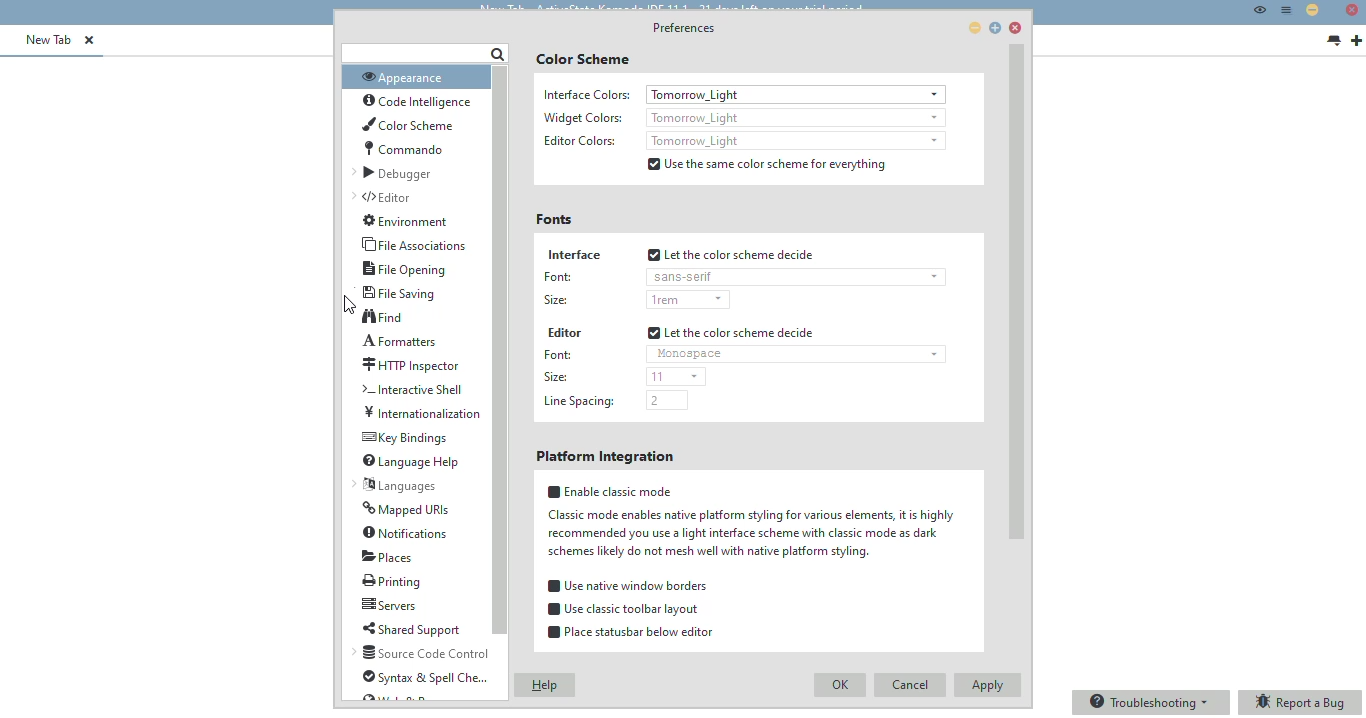 This screenshot has height=718, width=1366. I want to click on use the same color scheme for everything, so click(766, 164).